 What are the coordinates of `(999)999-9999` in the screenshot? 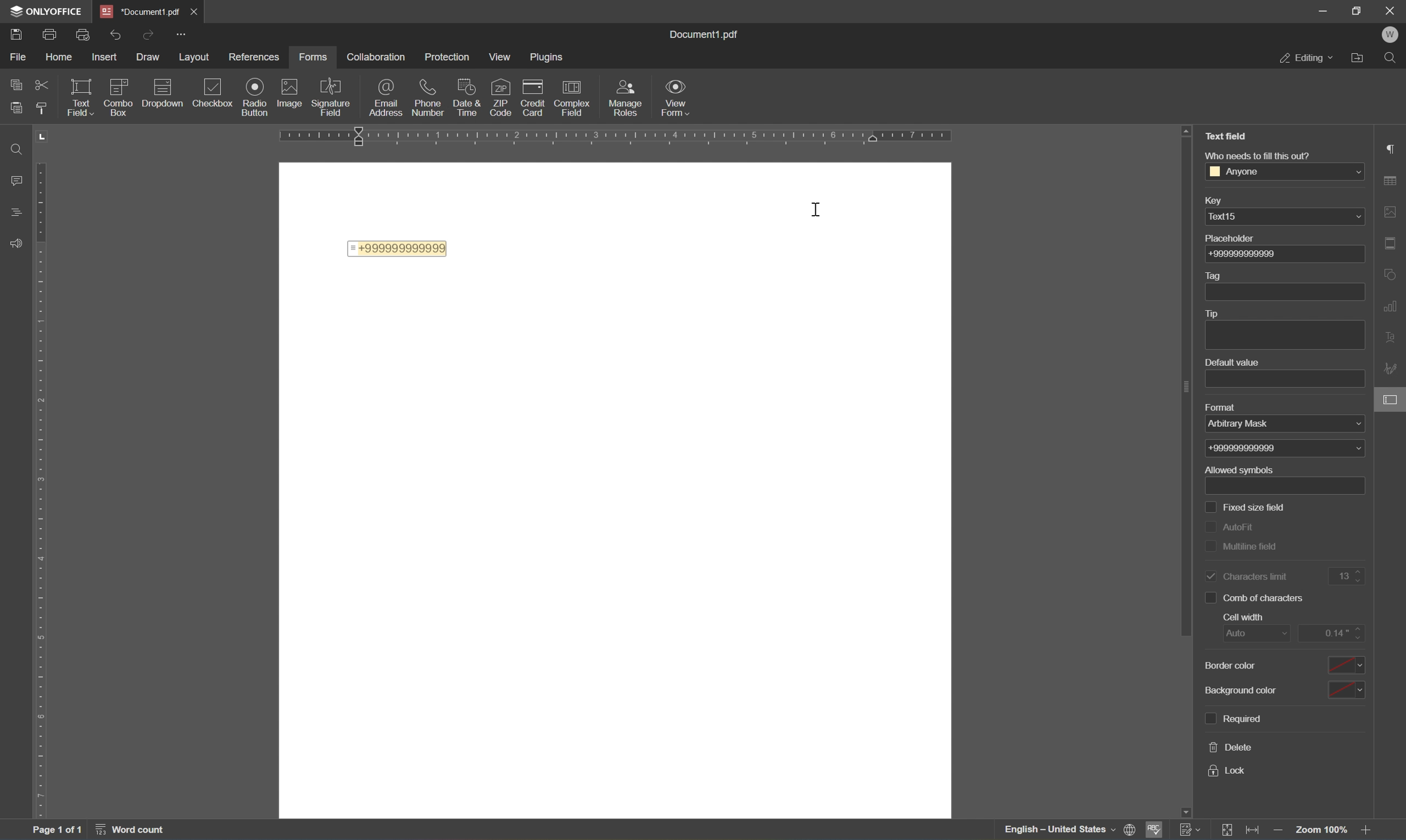 It's located at (1248, 254).